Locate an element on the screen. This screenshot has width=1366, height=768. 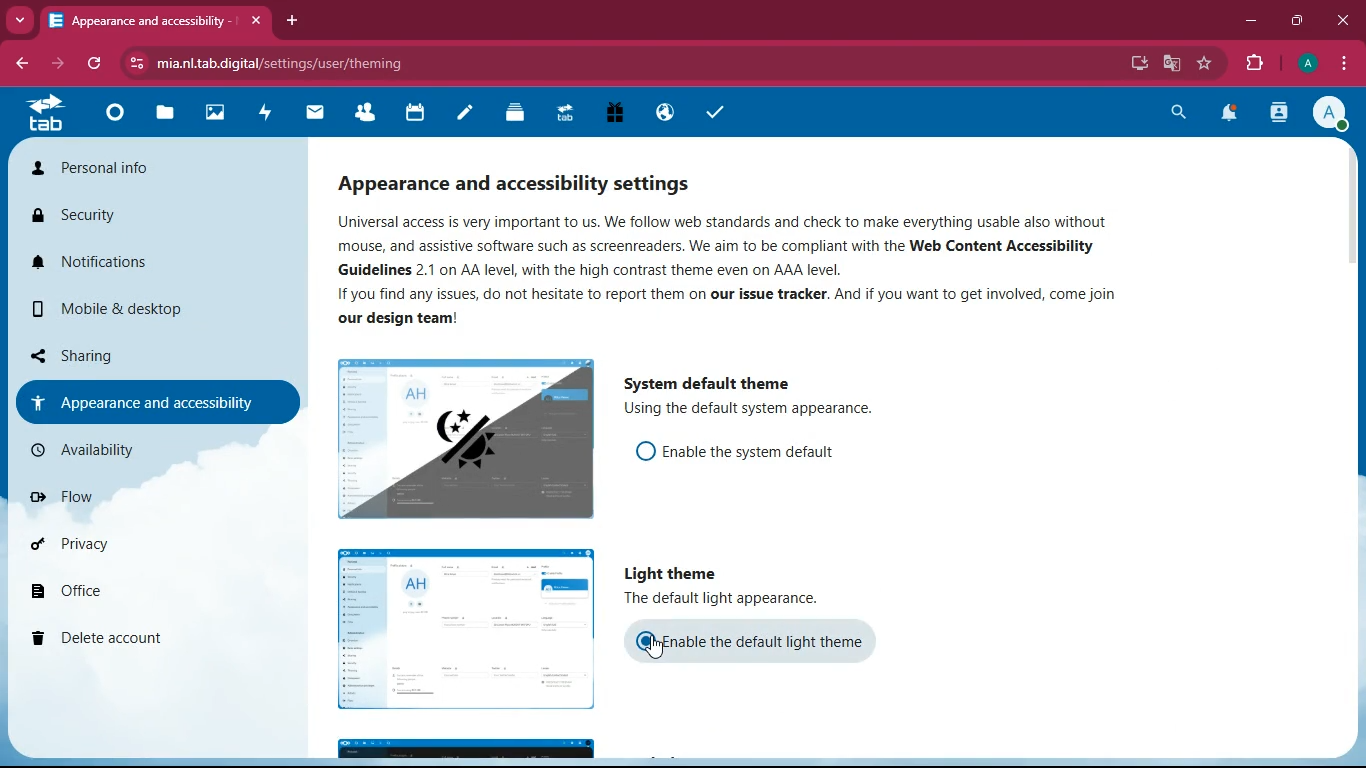
refresh is located at coordinates (100, 65).